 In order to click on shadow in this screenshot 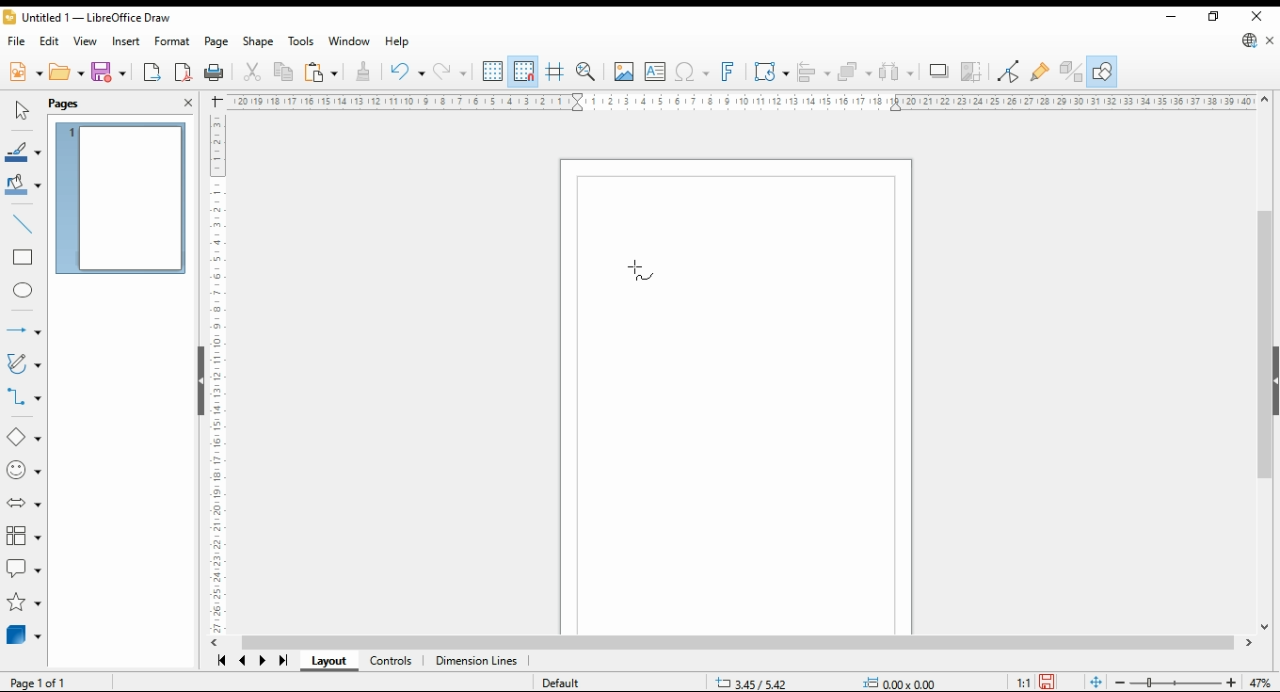, I will do `click(938, 71)`.